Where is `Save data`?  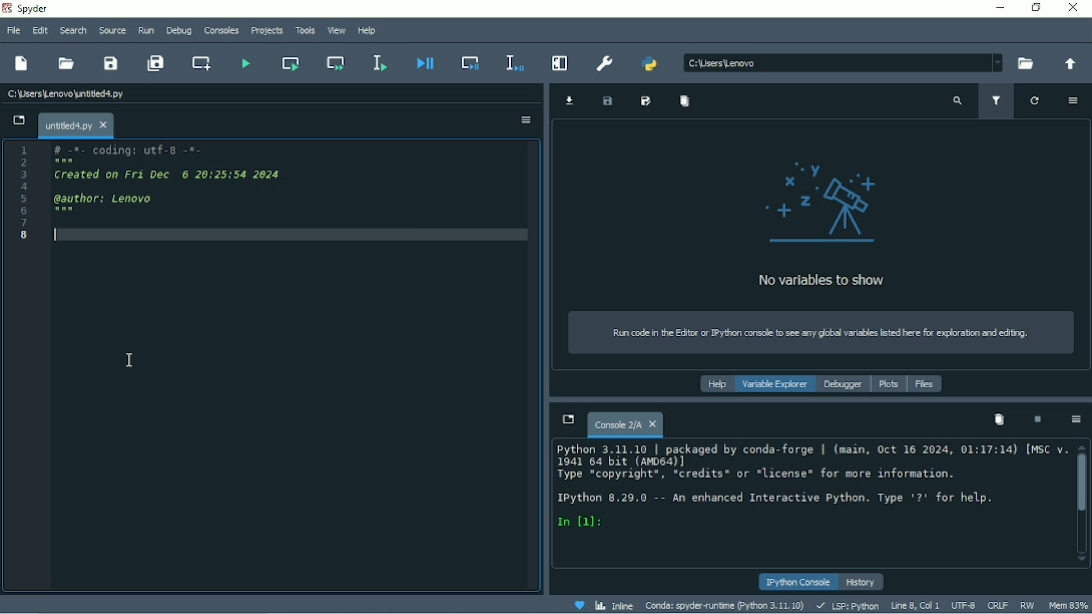
Save data is located at coordinates (610, 101).